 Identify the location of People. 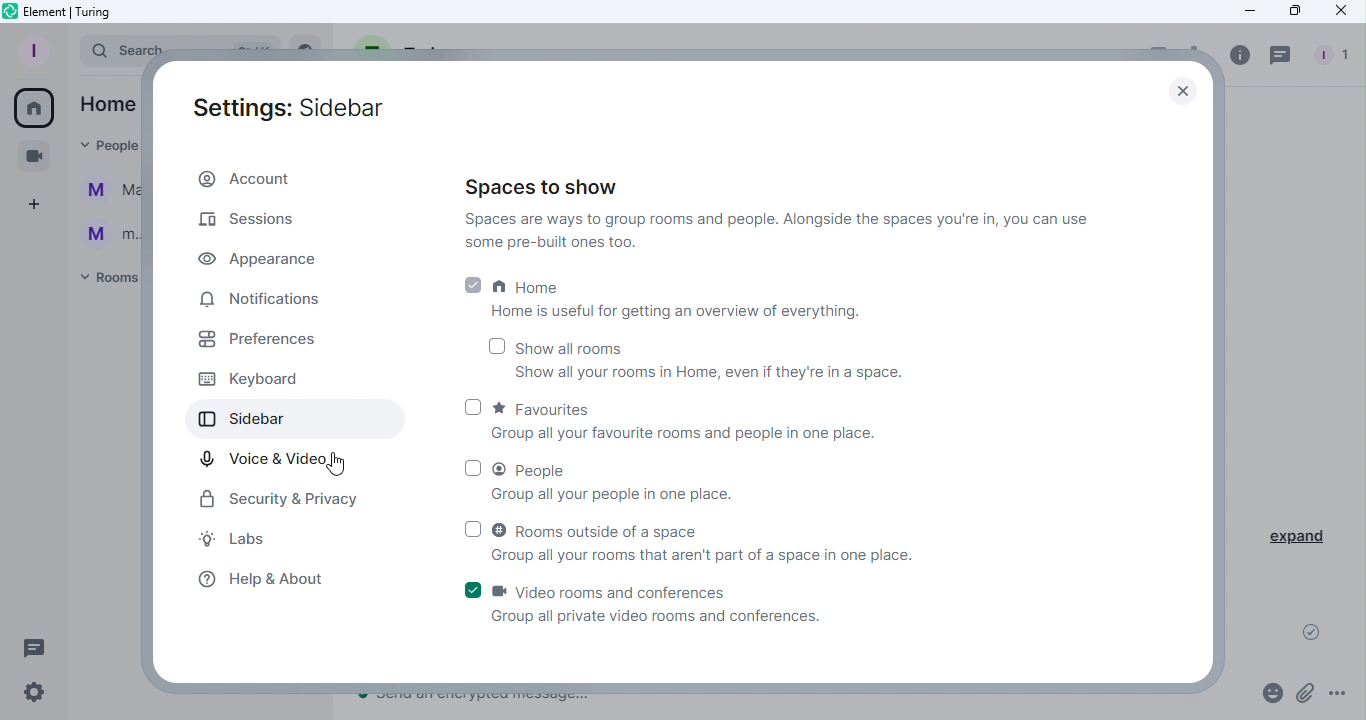
(114, 145).